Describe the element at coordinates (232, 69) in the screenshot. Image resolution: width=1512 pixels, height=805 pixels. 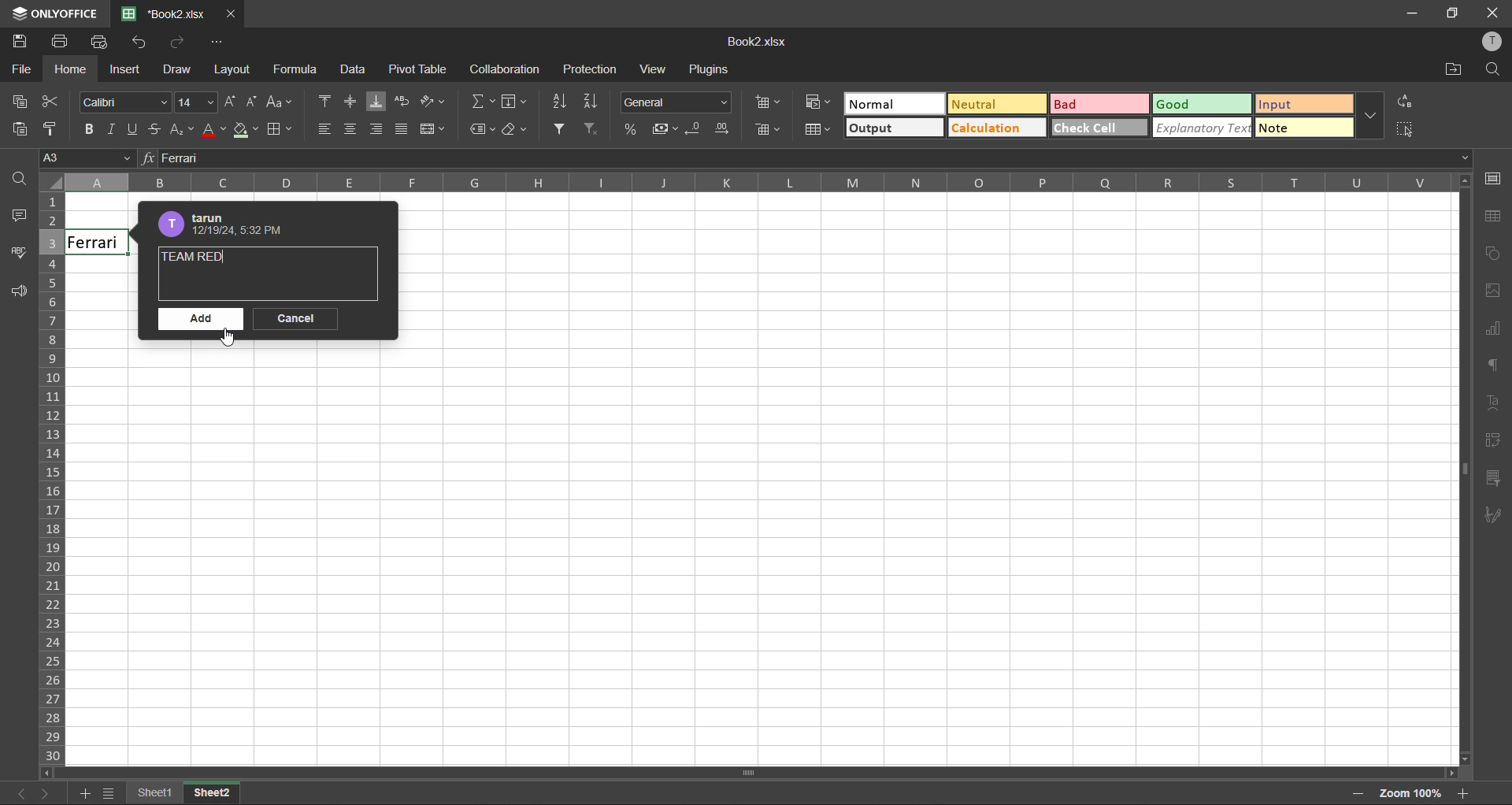
I see `layout` at that location.